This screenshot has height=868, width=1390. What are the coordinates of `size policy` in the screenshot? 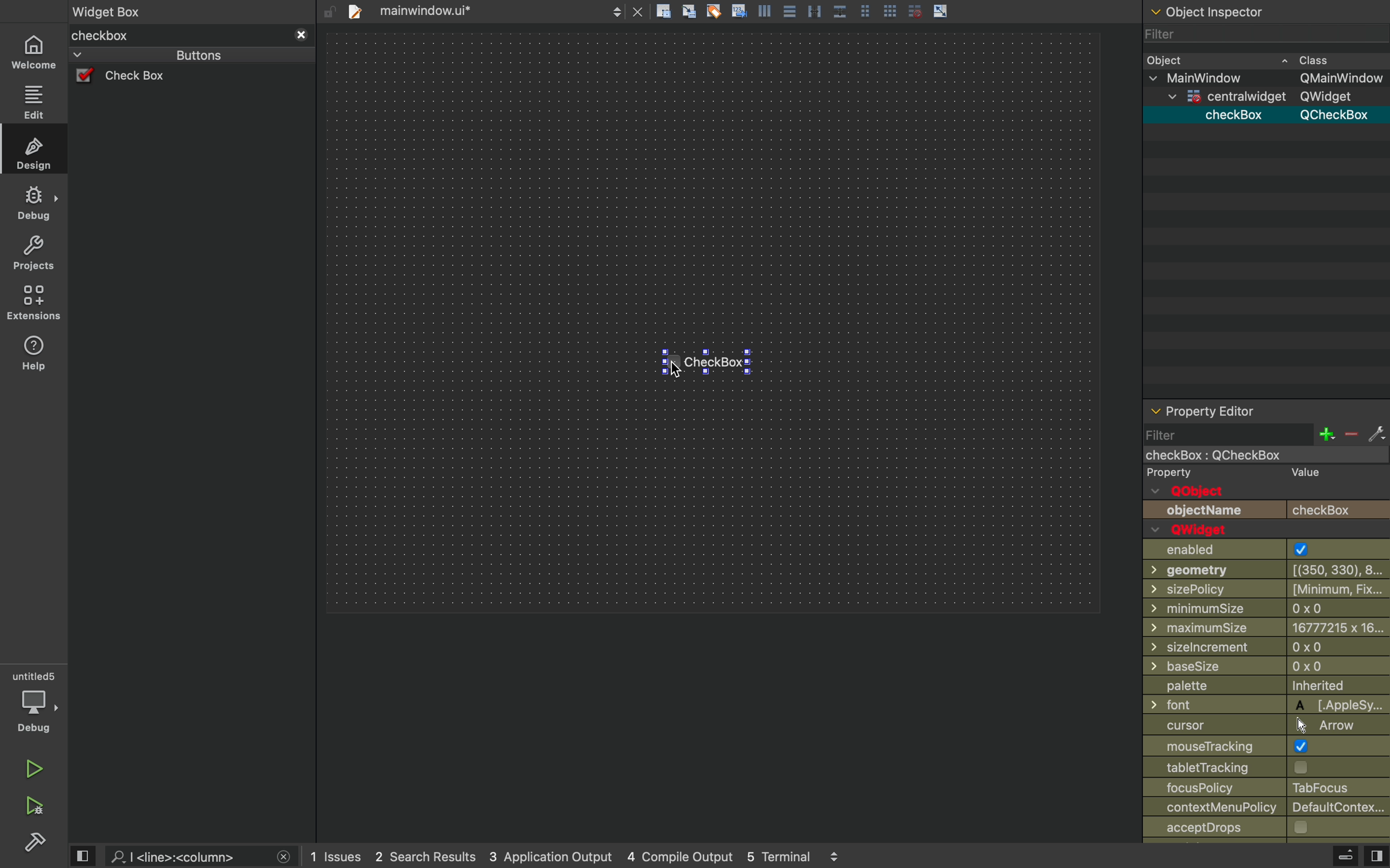 It's located at (1268, 588).